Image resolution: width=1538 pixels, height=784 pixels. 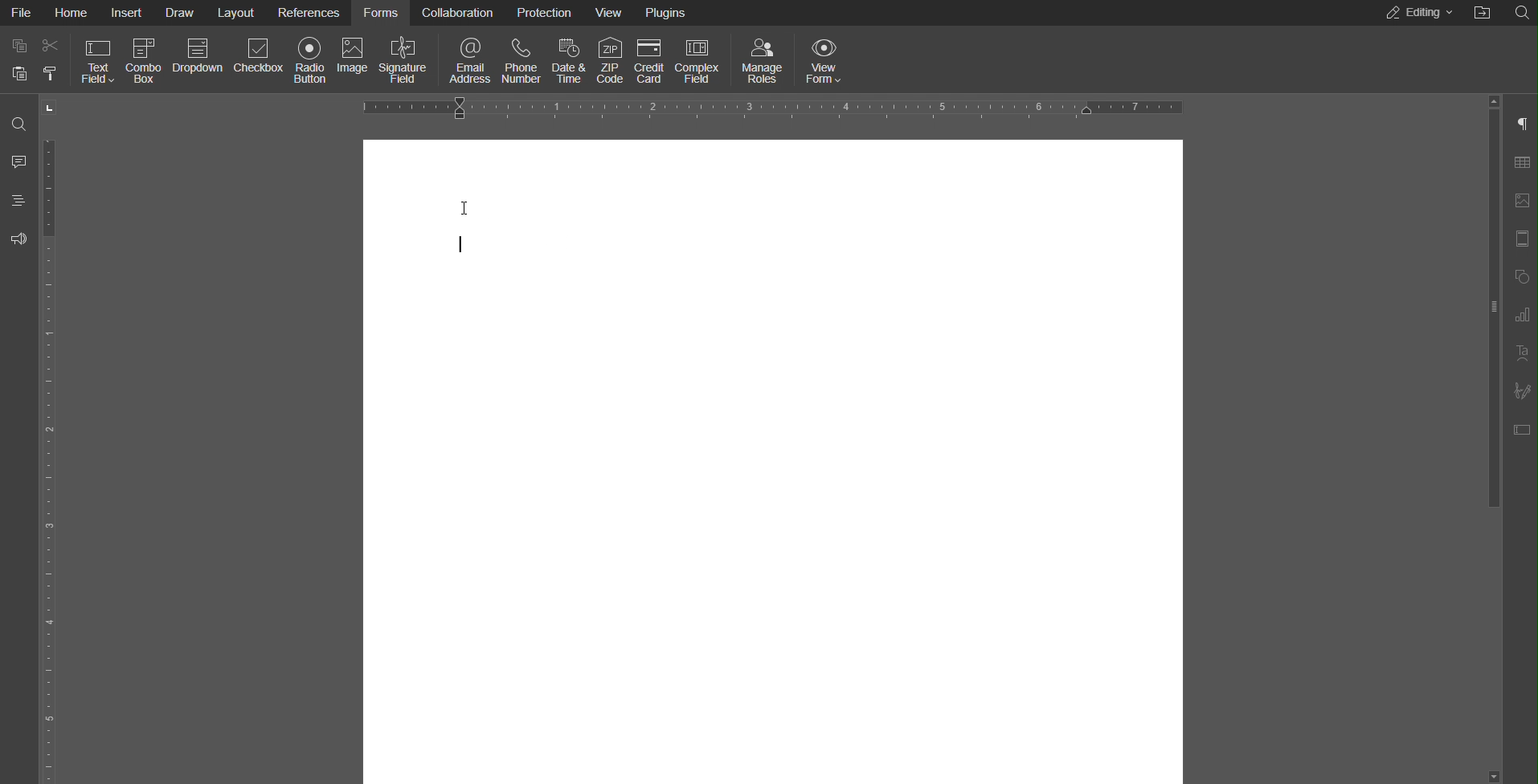 I want to click on Checkbox , so click(x=258, y=59).